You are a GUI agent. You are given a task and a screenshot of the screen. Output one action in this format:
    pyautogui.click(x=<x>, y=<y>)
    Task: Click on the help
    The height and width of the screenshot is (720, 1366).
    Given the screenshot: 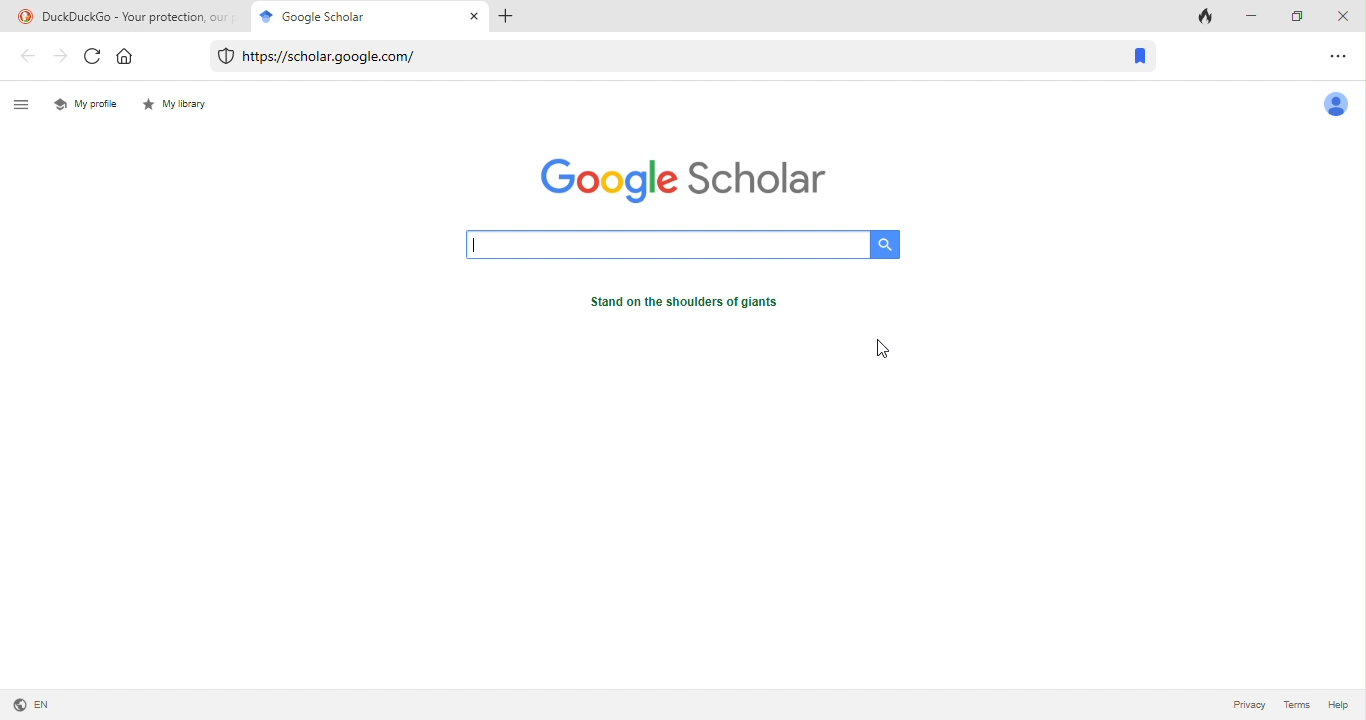 What is the action you would take?
    pyautogui.click(x=1337, y=706)
    